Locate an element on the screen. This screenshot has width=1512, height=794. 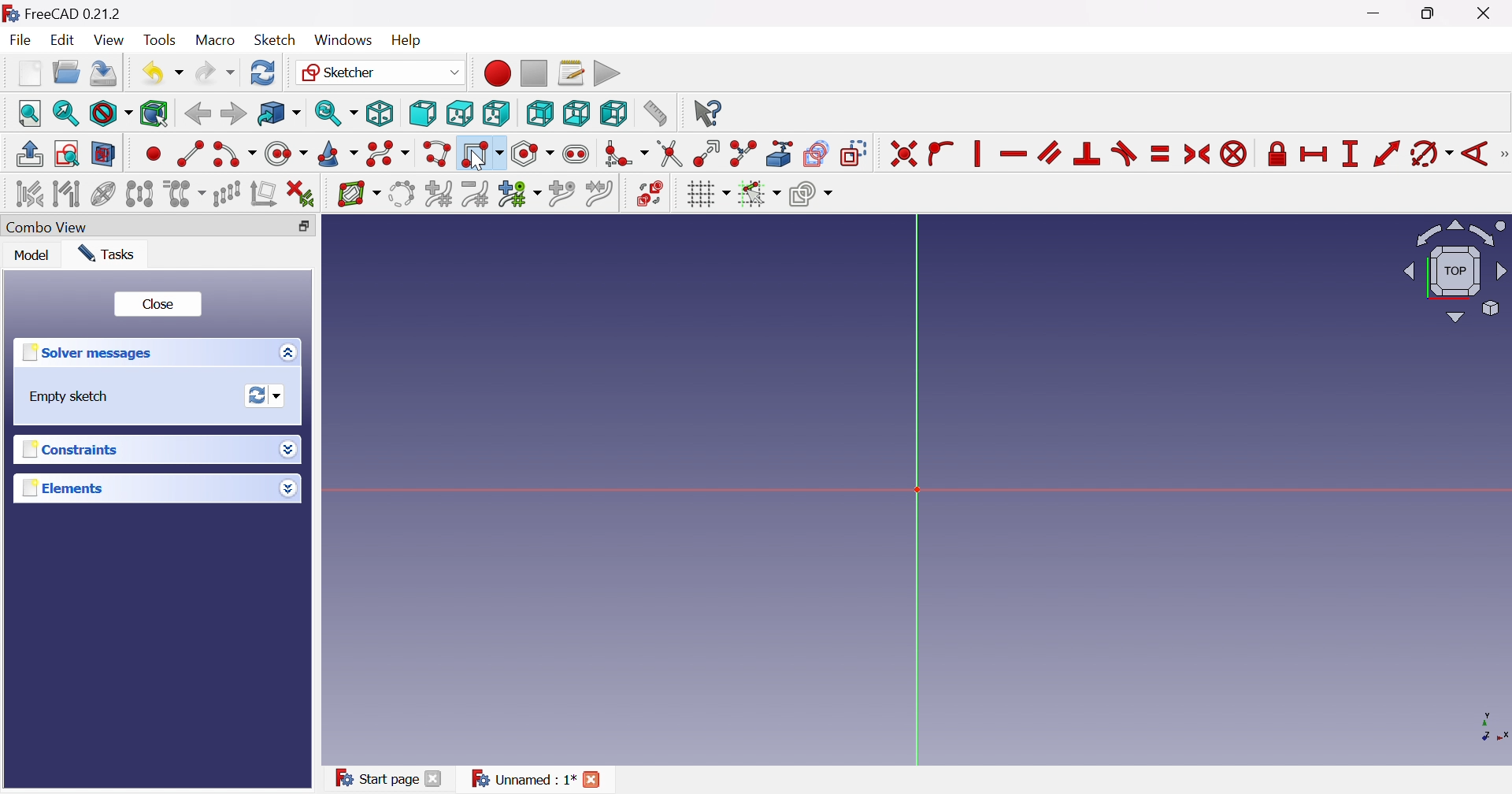
More options is located at coordinates (287, 488).